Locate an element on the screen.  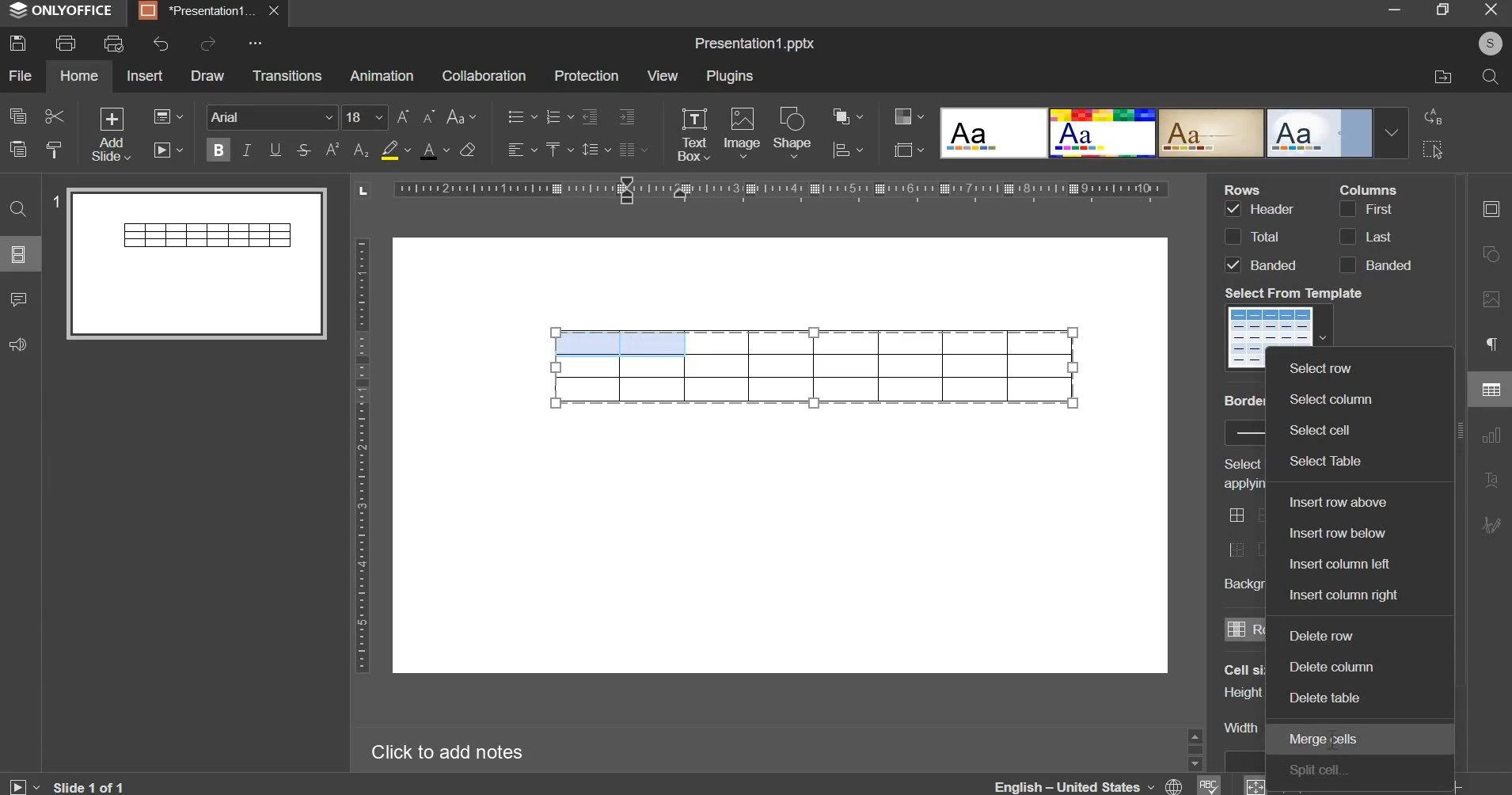
delete table is located at coordinates (1323, 698).